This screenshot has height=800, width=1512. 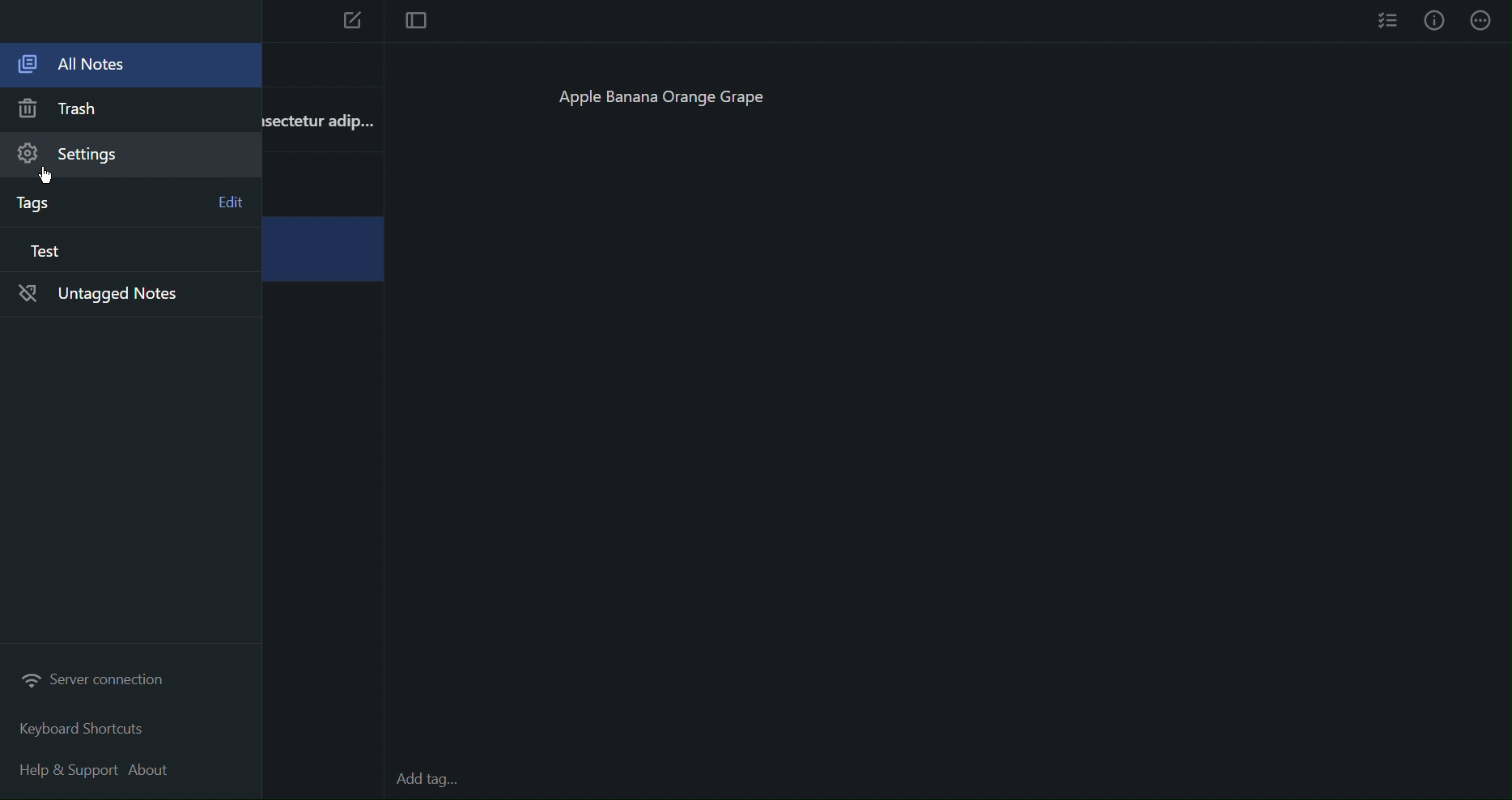 What do you see at coordinates (121, 68) in the screenshot?
I see `All Notes` at bounding box center [121, 68].